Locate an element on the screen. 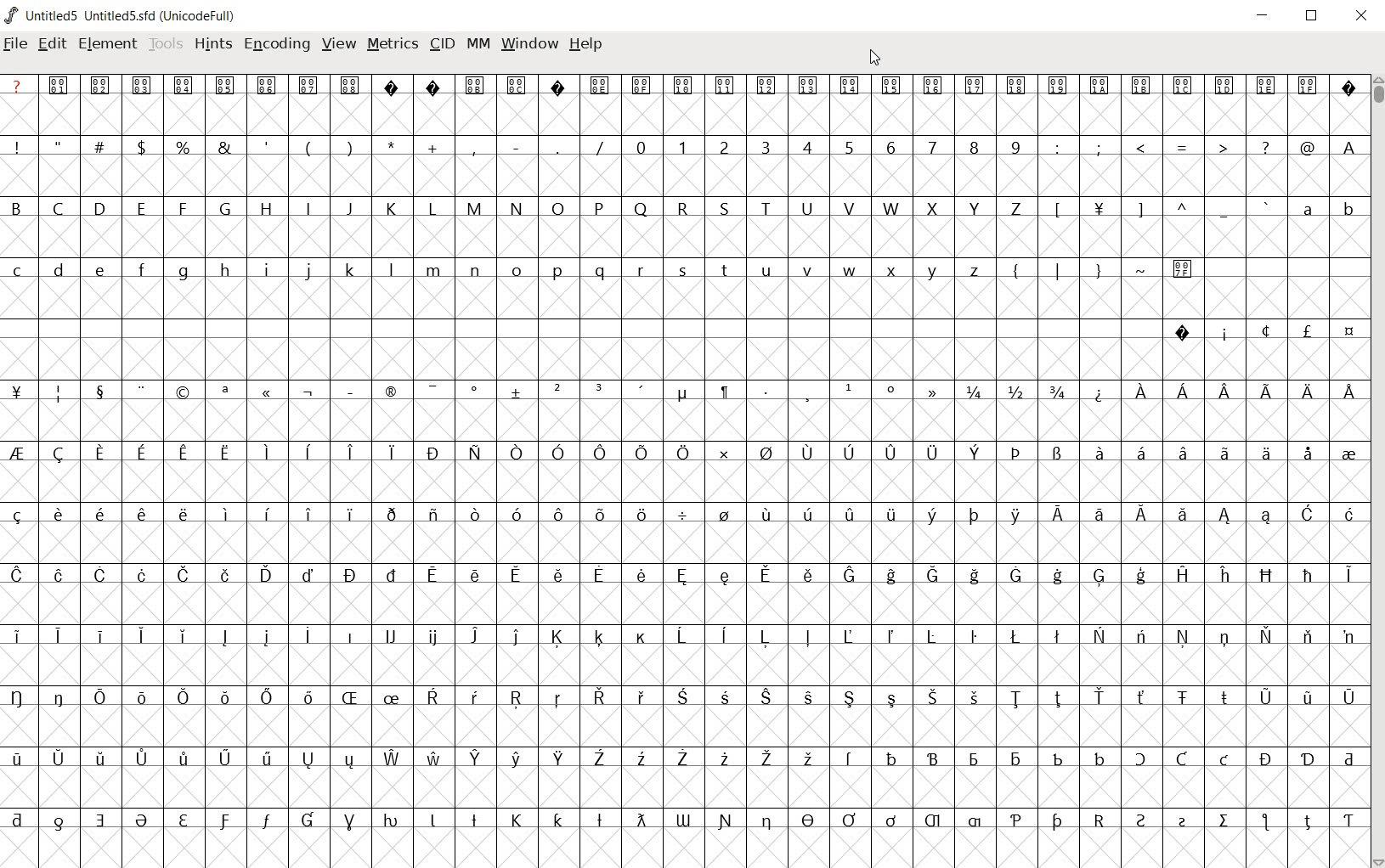  Symbol is located at coordinates (307, 451).